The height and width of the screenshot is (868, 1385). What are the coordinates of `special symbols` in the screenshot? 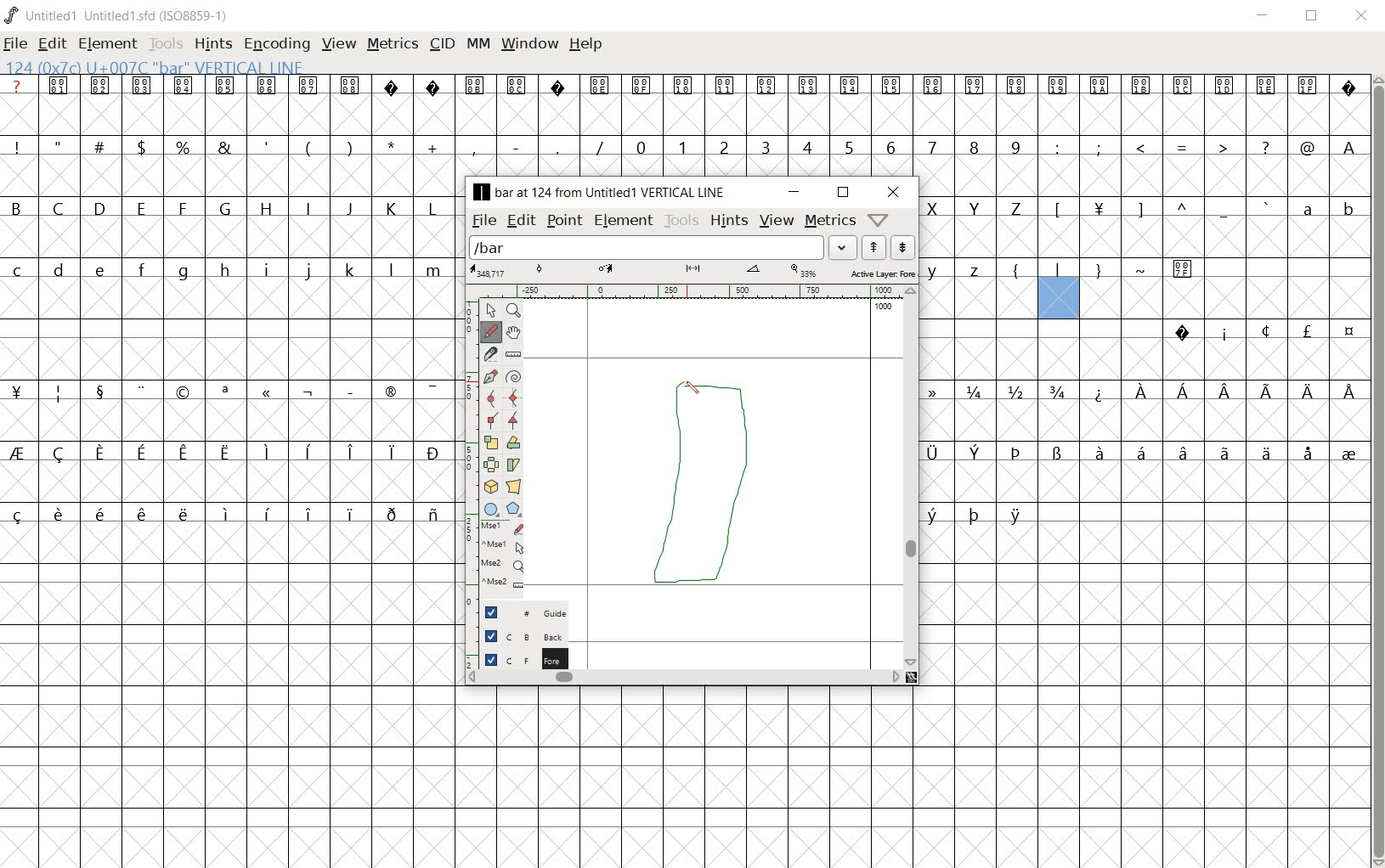 It's located at (685, 86).